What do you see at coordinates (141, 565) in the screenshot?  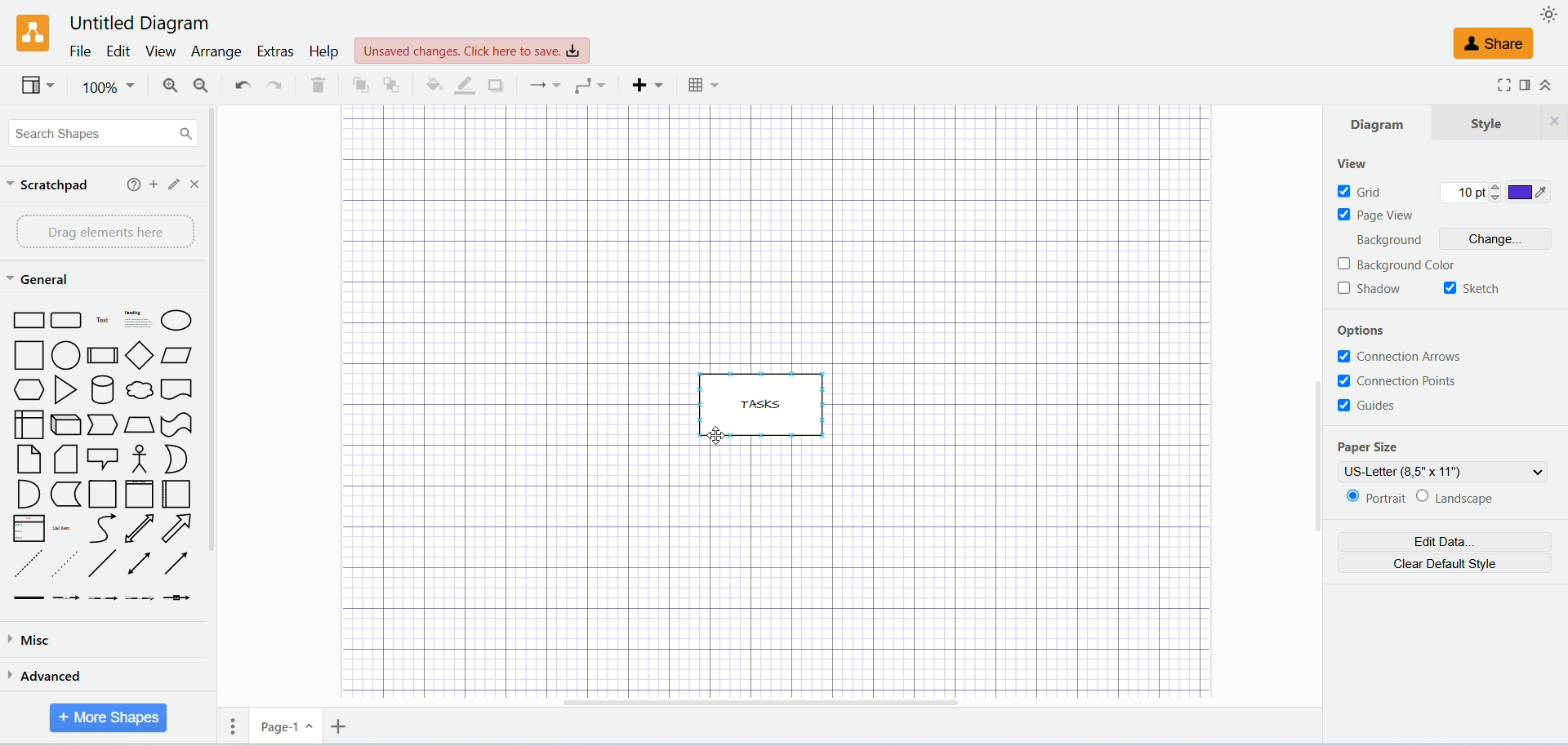 I see `Bidirectional Arrow` at bounding box center [141, 565].